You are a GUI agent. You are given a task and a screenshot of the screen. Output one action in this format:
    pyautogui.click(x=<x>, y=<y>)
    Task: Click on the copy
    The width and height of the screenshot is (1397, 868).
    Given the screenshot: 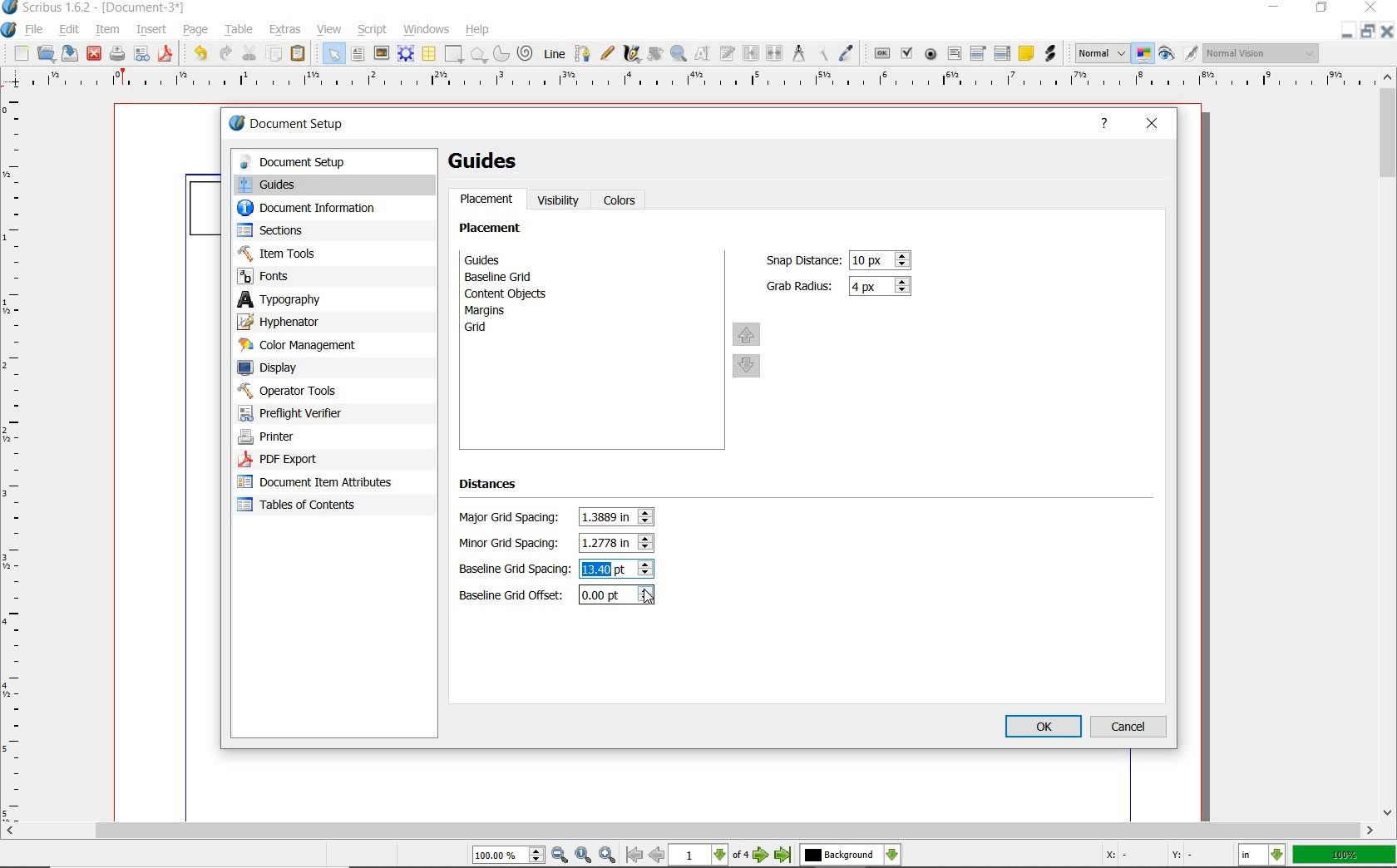 What is the action you would take?
    pyautogui.click(x=274, y=56)
    